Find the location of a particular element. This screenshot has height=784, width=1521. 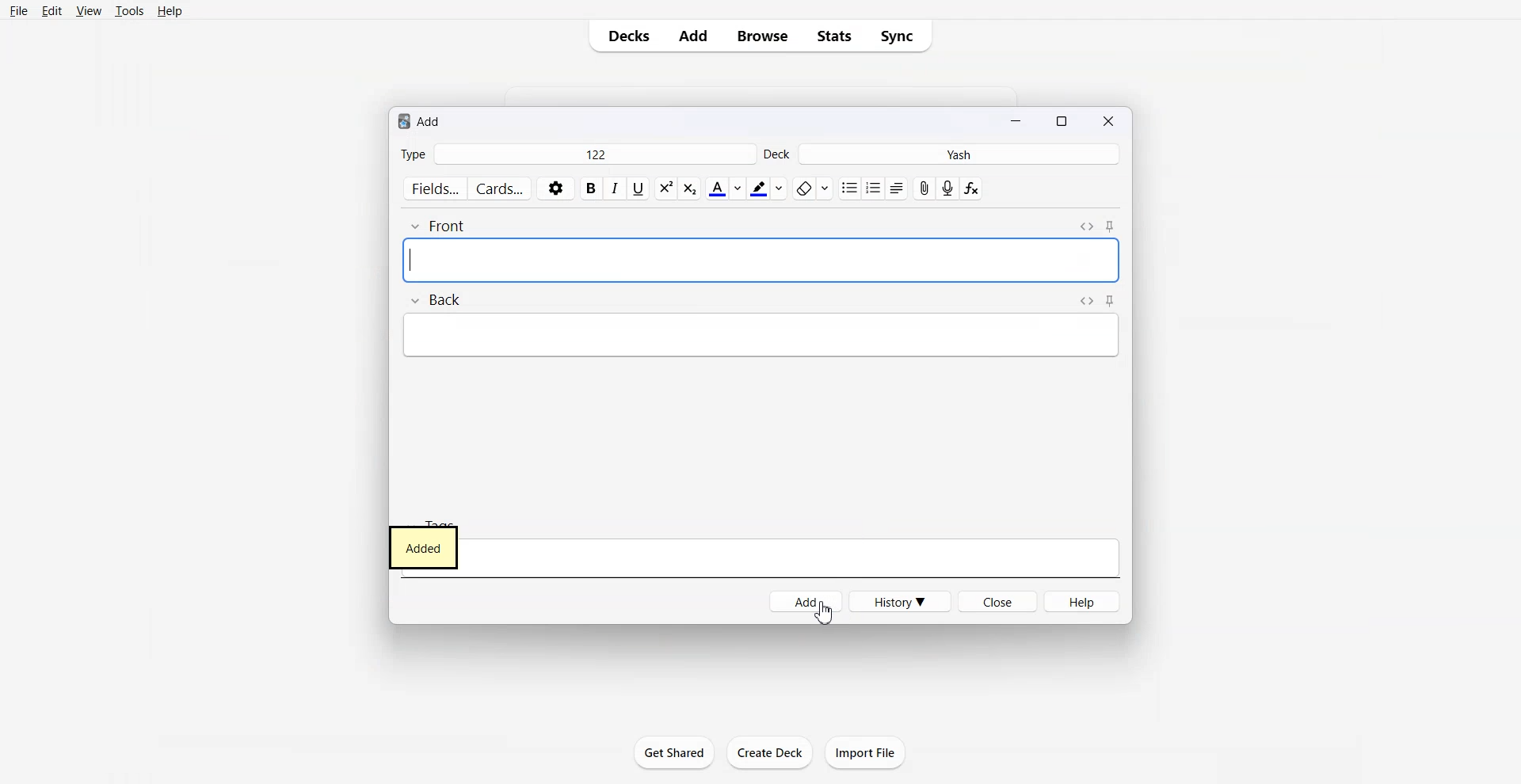

View is located at coordinates (88, 12).